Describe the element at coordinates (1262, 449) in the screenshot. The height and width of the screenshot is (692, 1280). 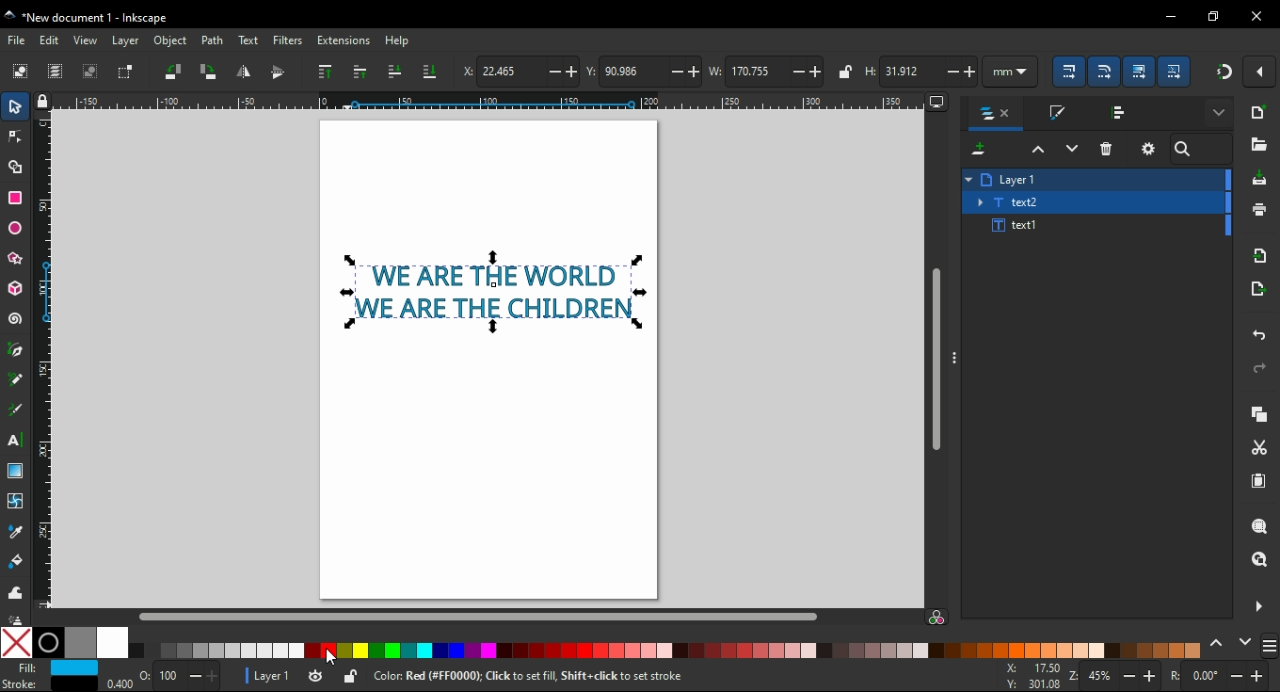
I see `cut` at that location.